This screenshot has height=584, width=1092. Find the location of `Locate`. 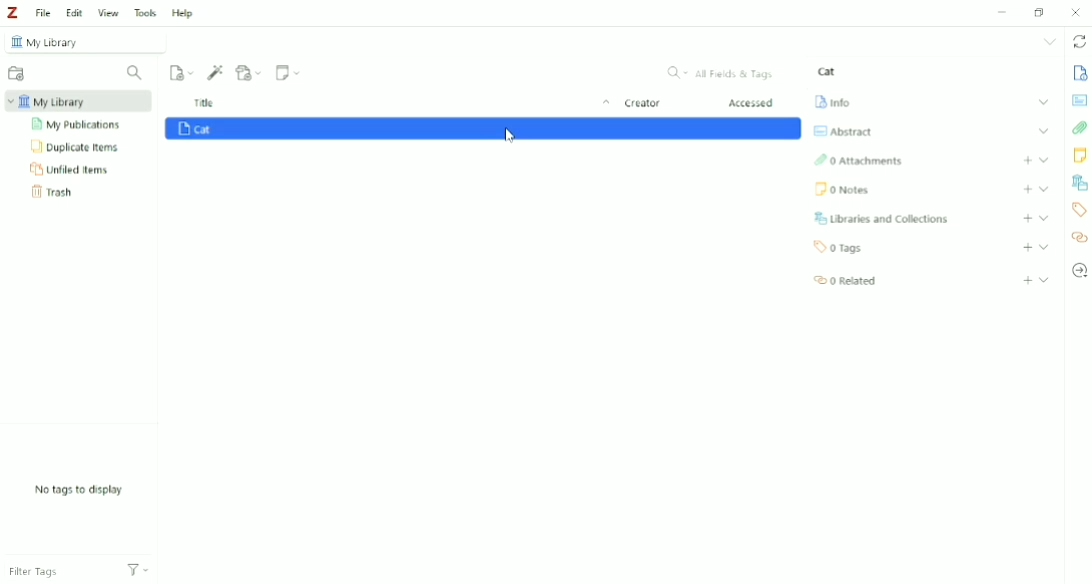

Locate is located at coordinates (1079, 270).